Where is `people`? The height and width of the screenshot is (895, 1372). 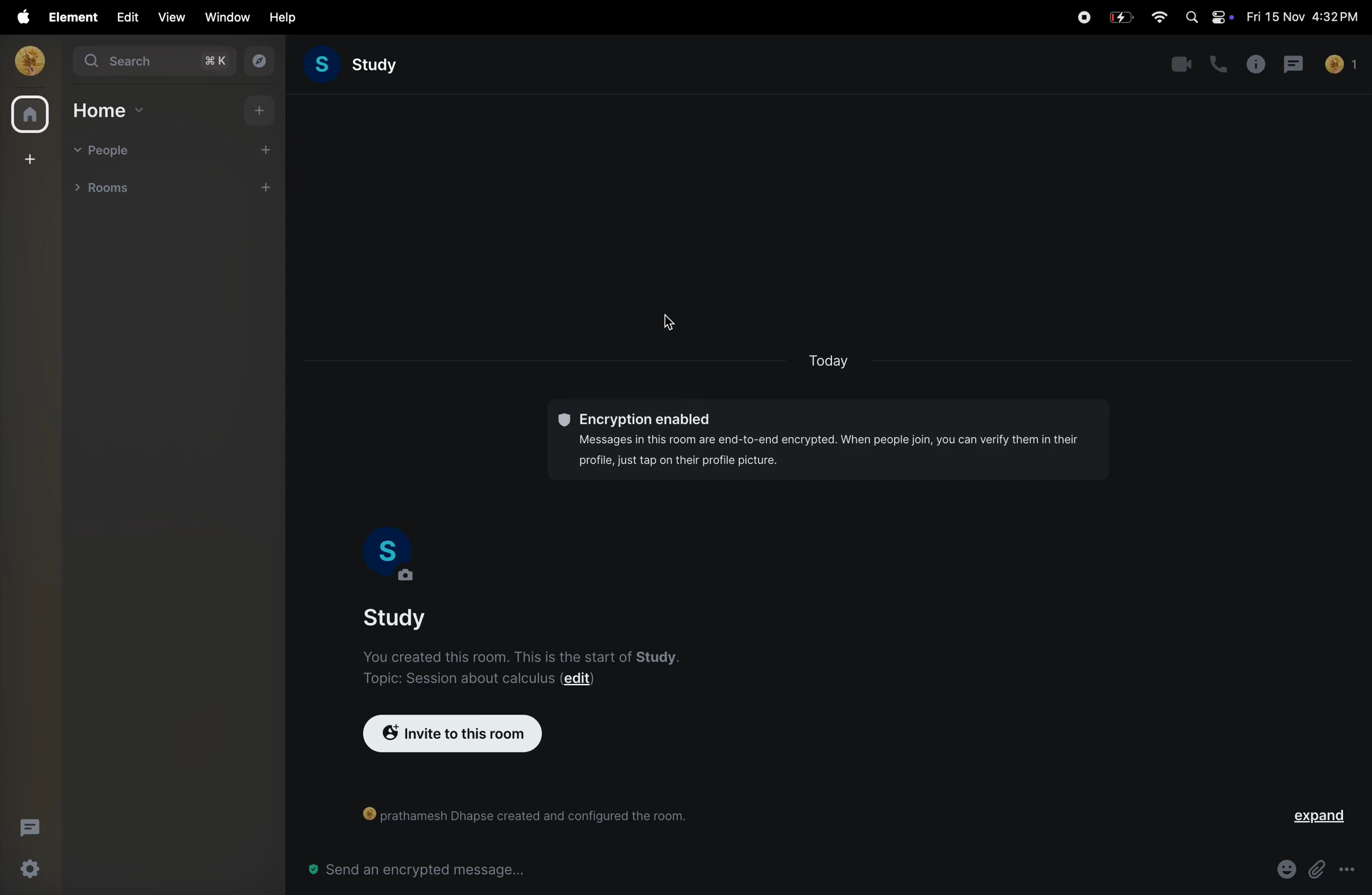 people is located at coordinates (105, 149).